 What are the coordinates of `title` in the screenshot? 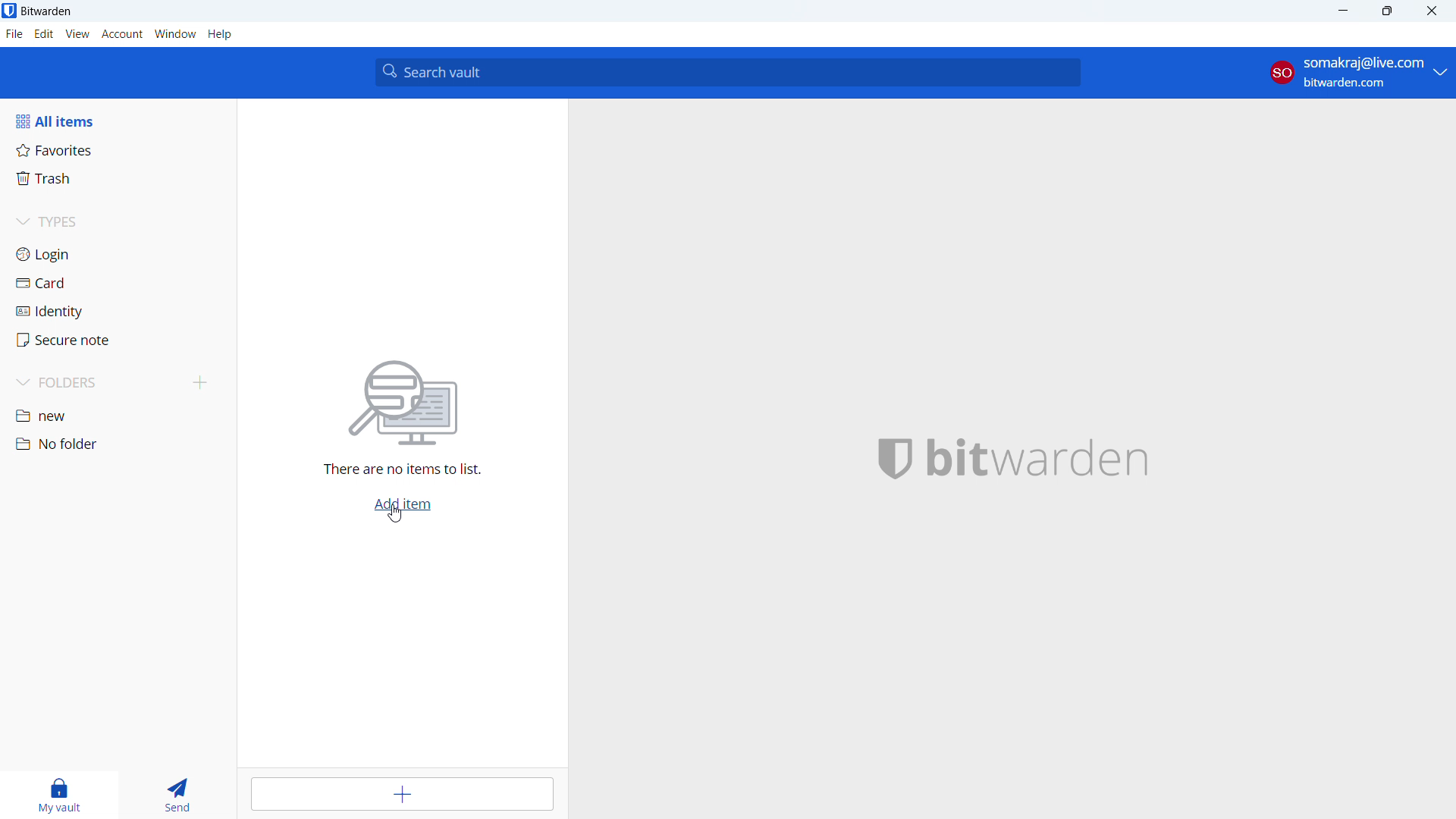 It's located at (46, 11).